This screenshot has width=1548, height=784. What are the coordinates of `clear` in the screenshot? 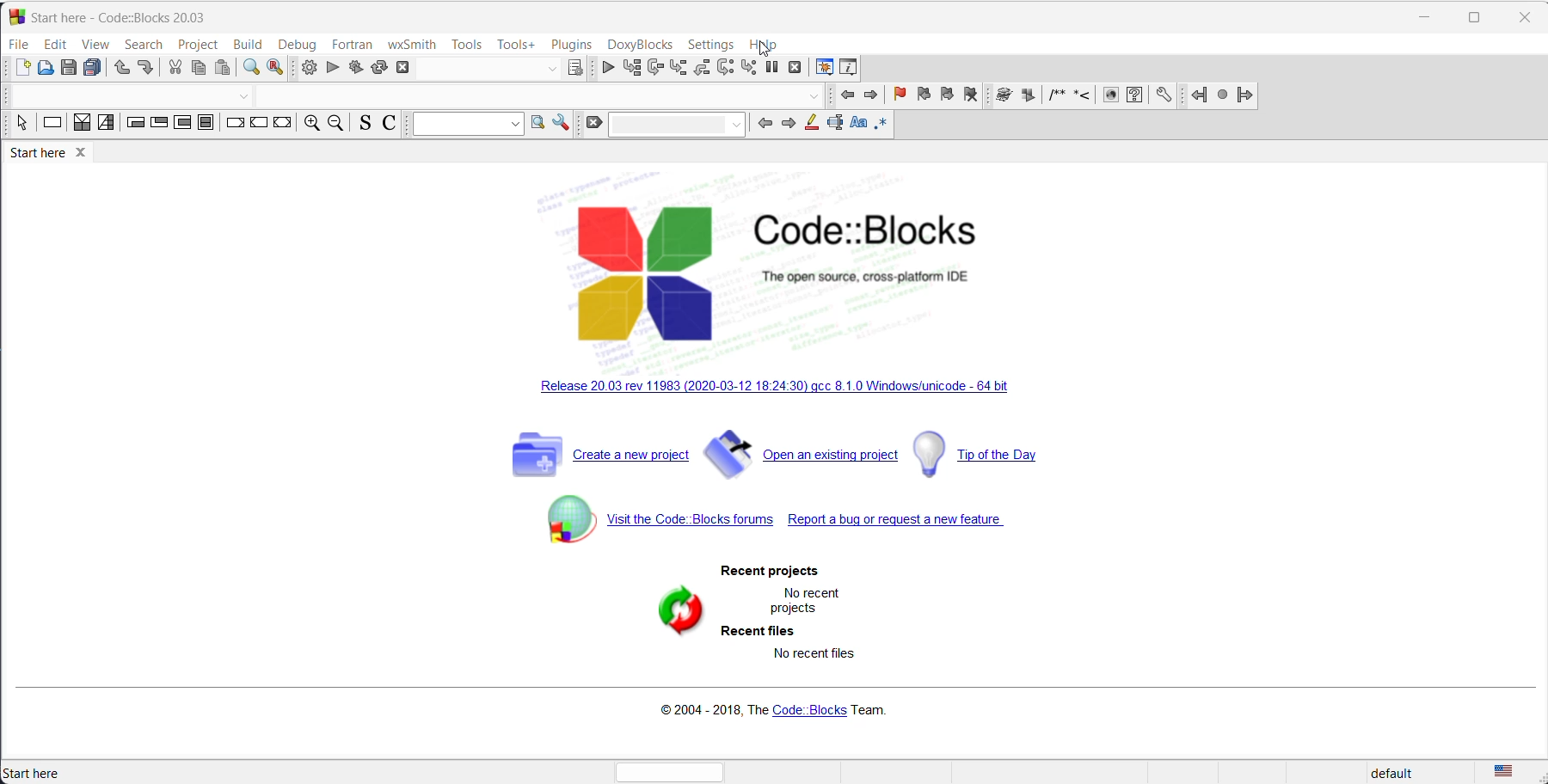 It's located at (594, 126).